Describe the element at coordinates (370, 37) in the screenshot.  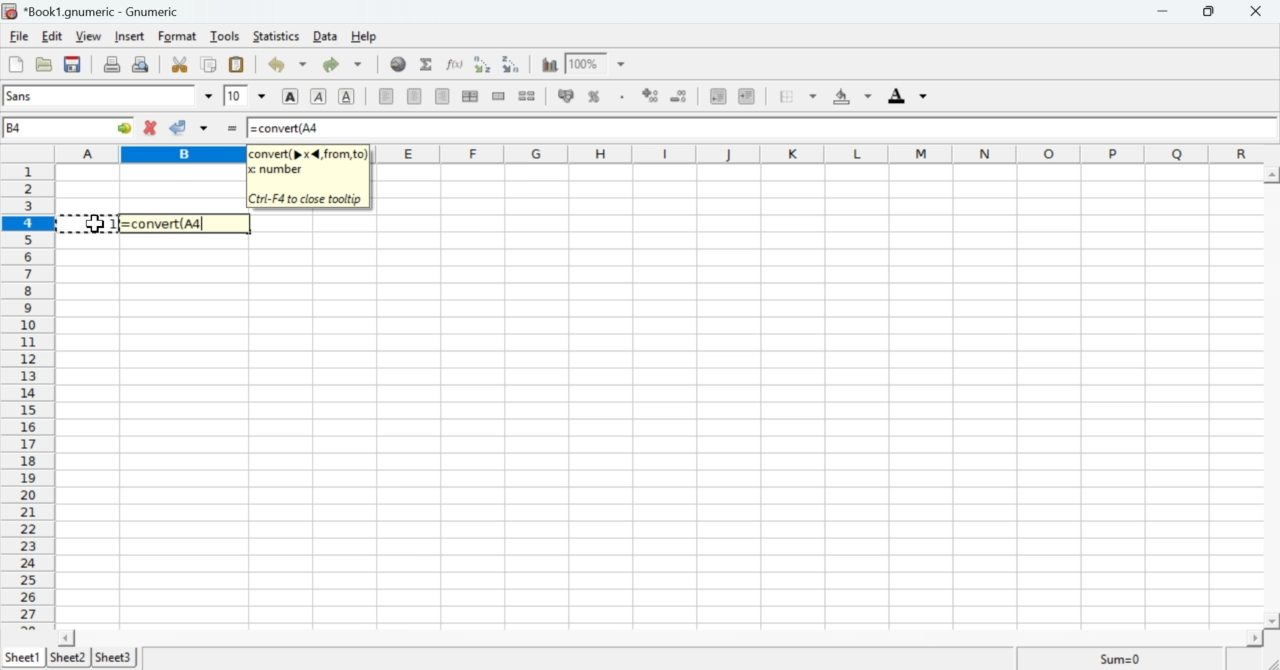
I see `Help` at that location.